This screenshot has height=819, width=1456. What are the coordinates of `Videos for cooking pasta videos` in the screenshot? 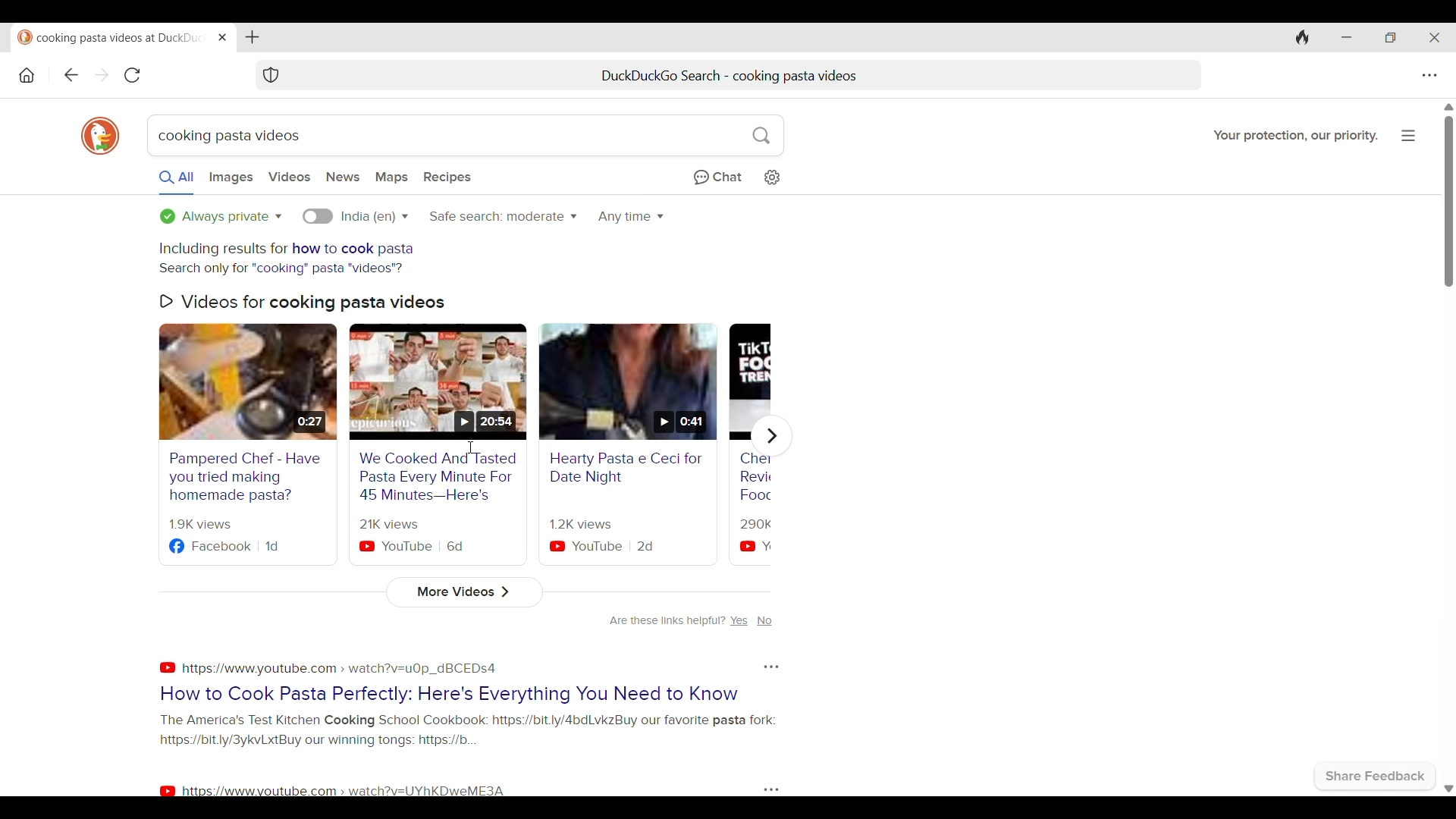 It's located at (309, 303).